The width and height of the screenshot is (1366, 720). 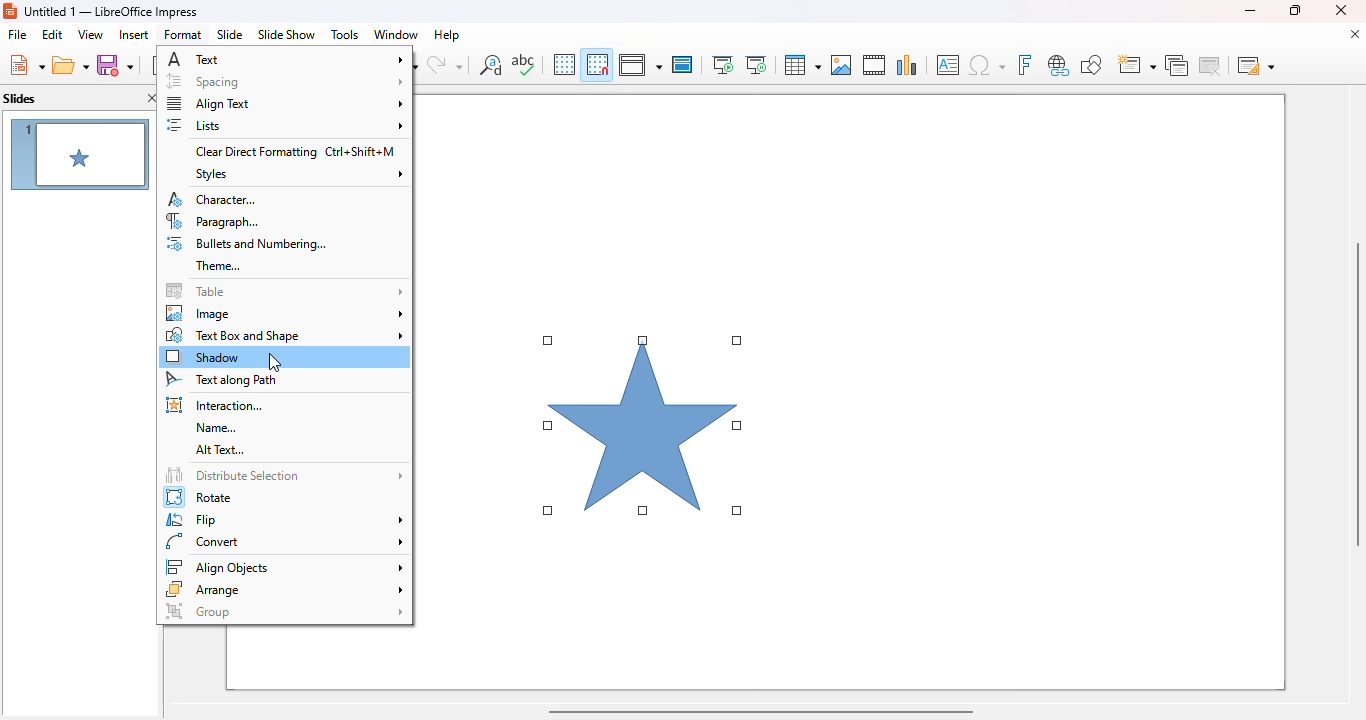 I want to click on minimize, so click(x=1249, y=10).